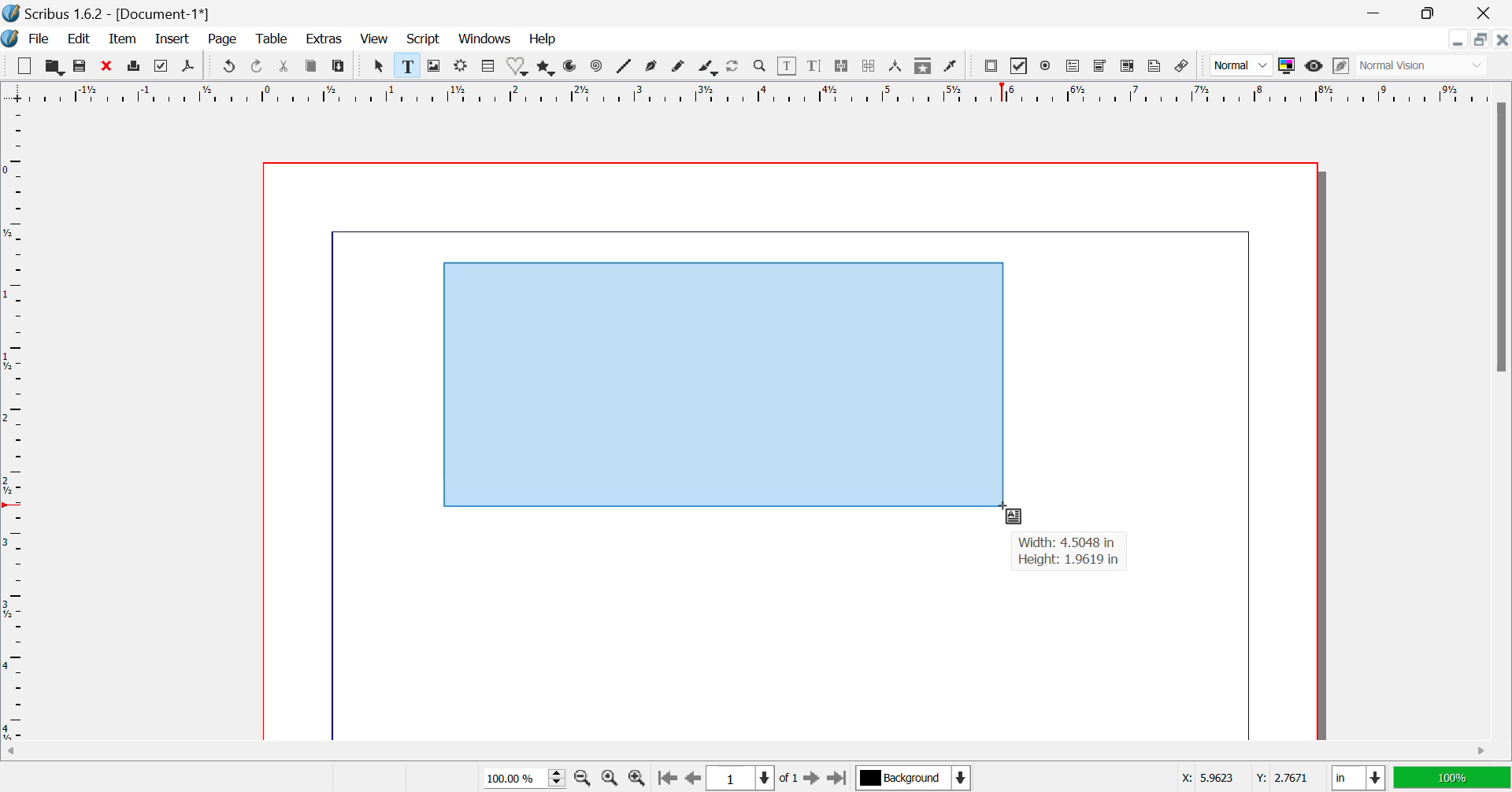 The width and height of the screenshot is (1512, 792). Describe the element at coordinates (624, 68) in the screenshot. I see `Lines` at that location.